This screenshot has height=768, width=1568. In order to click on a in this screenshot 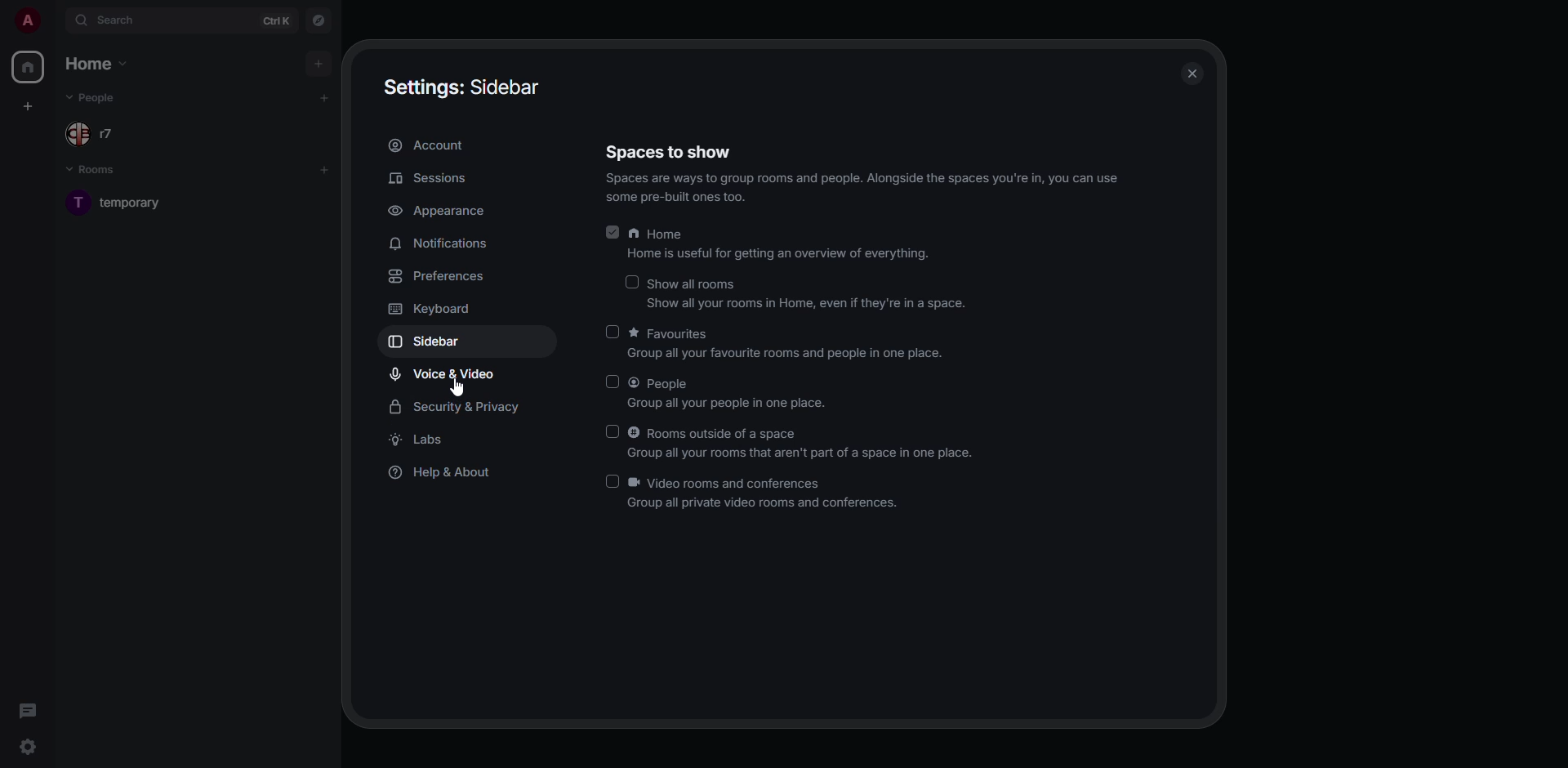, I will do `click(28, 19)`.